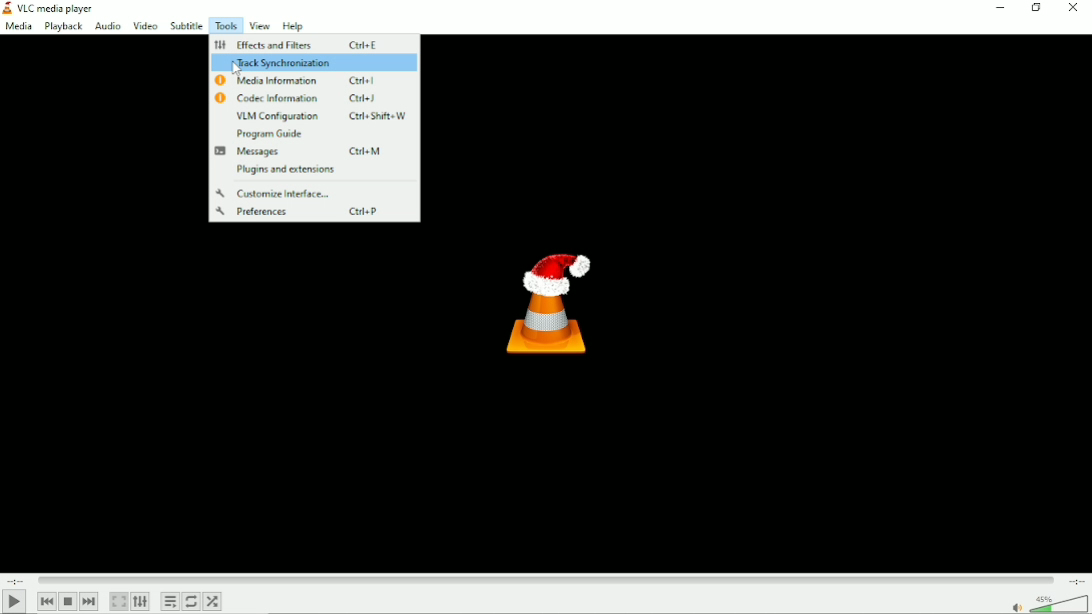  I want to click on Logo, so click(550, 302).